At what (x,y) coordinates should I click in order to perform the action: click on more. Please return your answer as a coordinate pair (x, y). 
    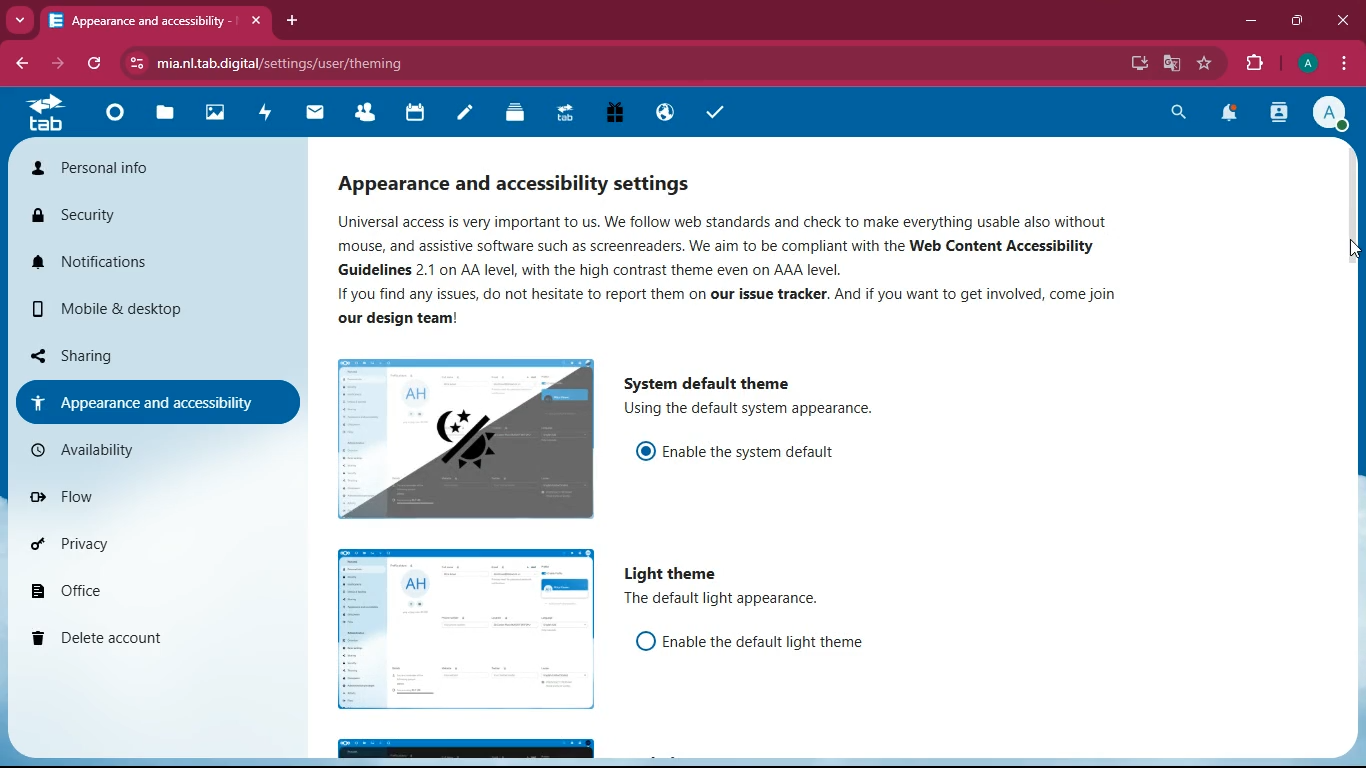
    Looking at the image, I should click on (19, 19).